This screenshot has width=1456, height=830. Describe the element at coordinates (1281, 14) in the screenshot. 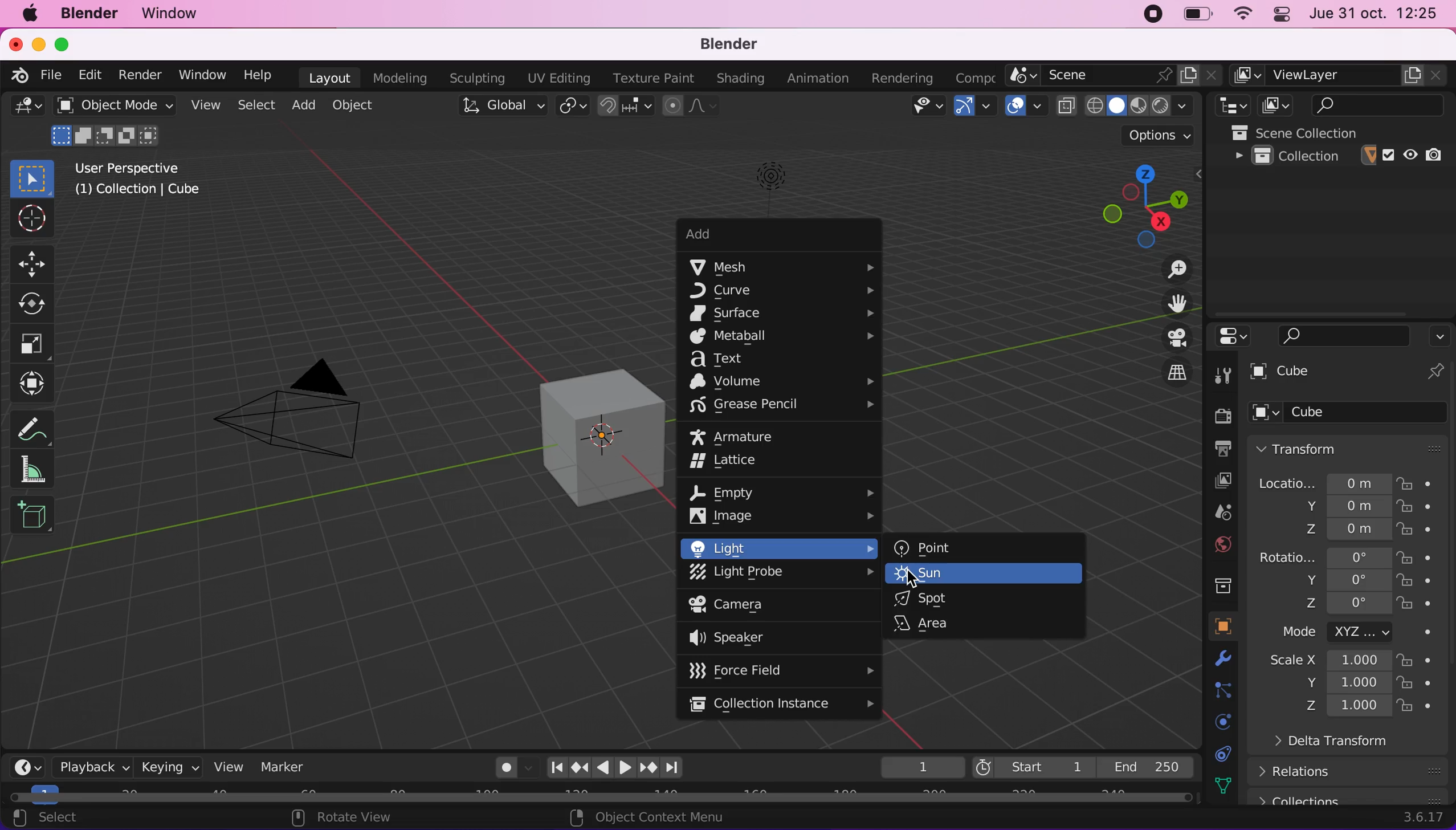

I see `panel control` at that location.